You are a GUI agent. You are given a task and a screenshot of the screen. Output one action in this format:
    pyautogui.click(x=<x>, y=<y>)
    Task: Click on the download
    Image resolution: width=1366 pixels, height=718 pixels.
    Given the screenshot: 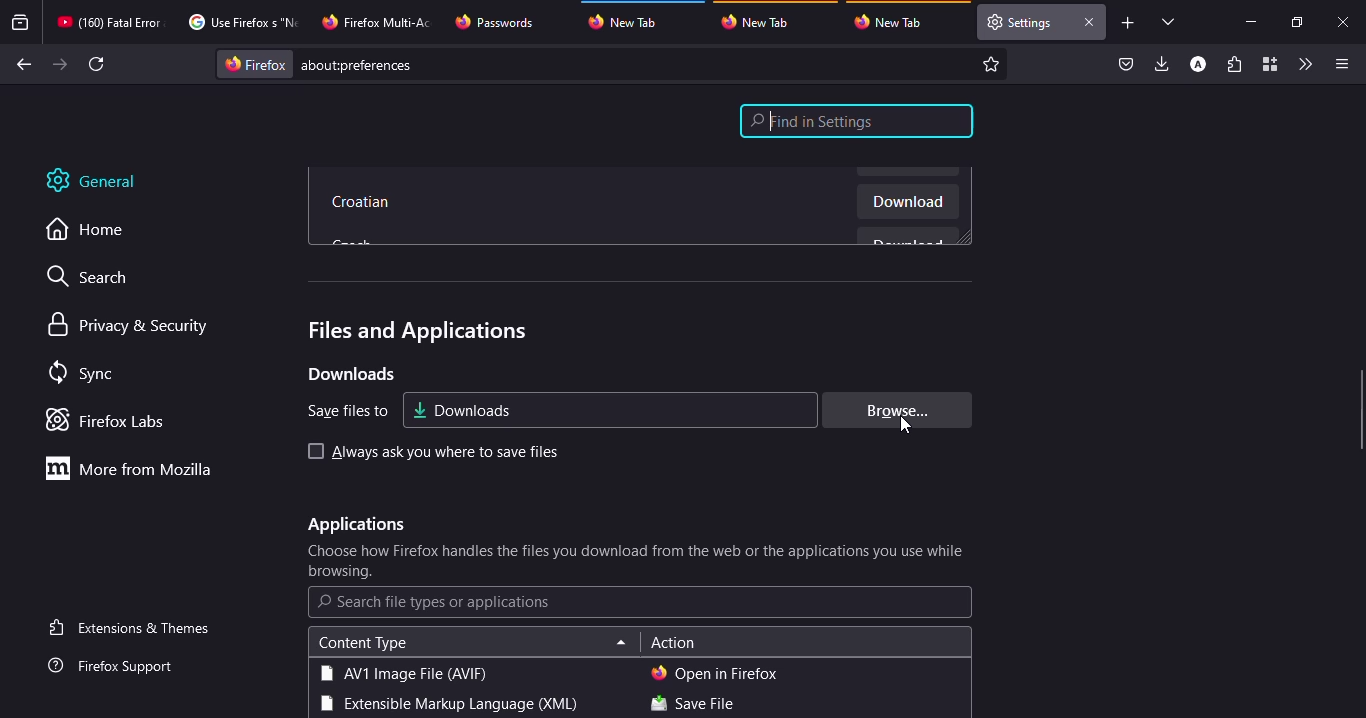 What is the action you would take?
    pyautogui.click(x=908, y=204)
    